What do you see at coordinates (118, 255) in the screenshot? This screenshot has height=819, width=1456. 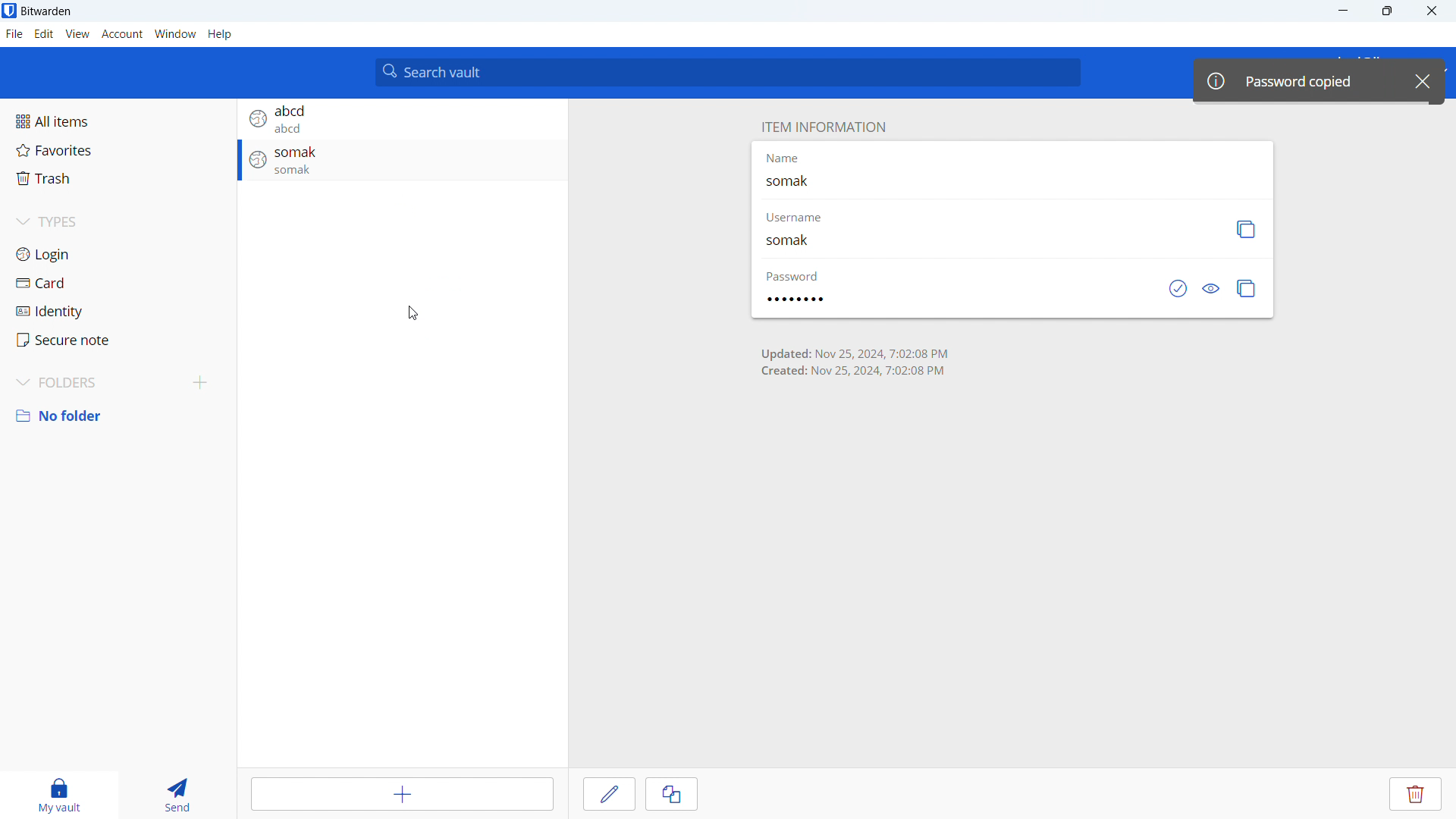 I see `login` at bounding box center [118, 255].